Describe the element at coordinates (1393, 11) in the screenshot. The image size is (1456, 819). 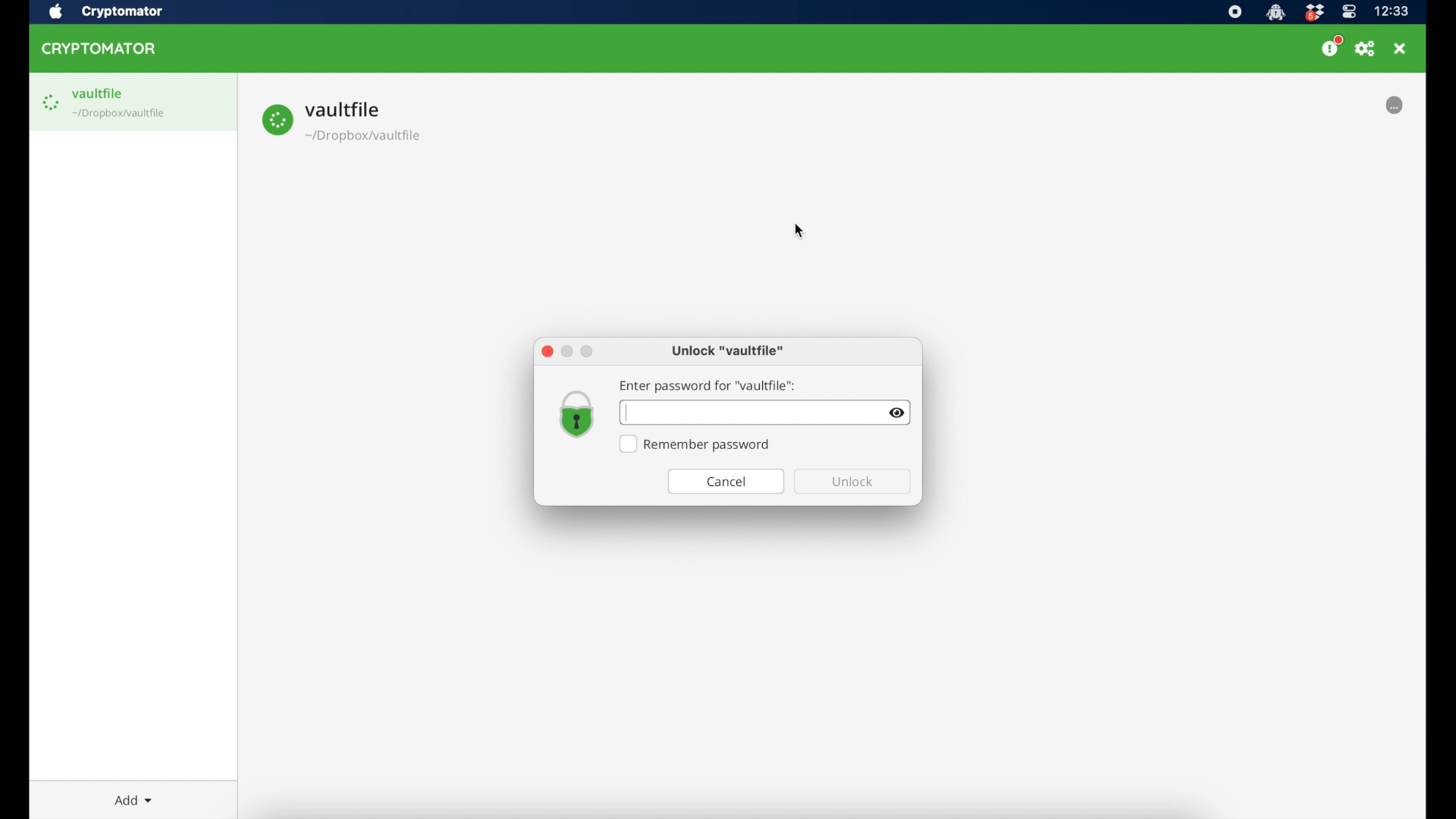
I see `time` at that location.